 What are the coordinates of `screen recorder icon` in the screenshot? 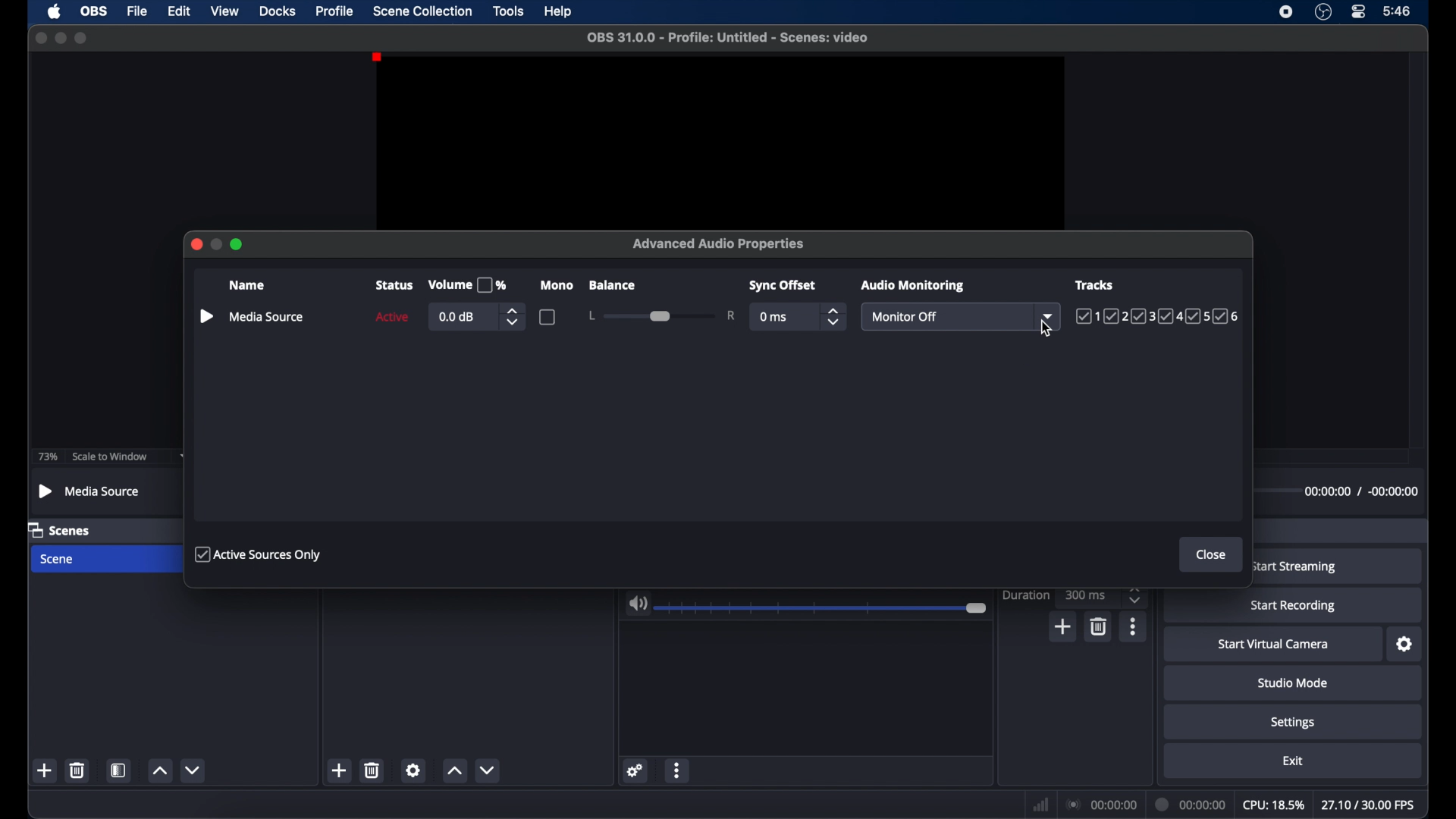 It's located at (1286, 11).